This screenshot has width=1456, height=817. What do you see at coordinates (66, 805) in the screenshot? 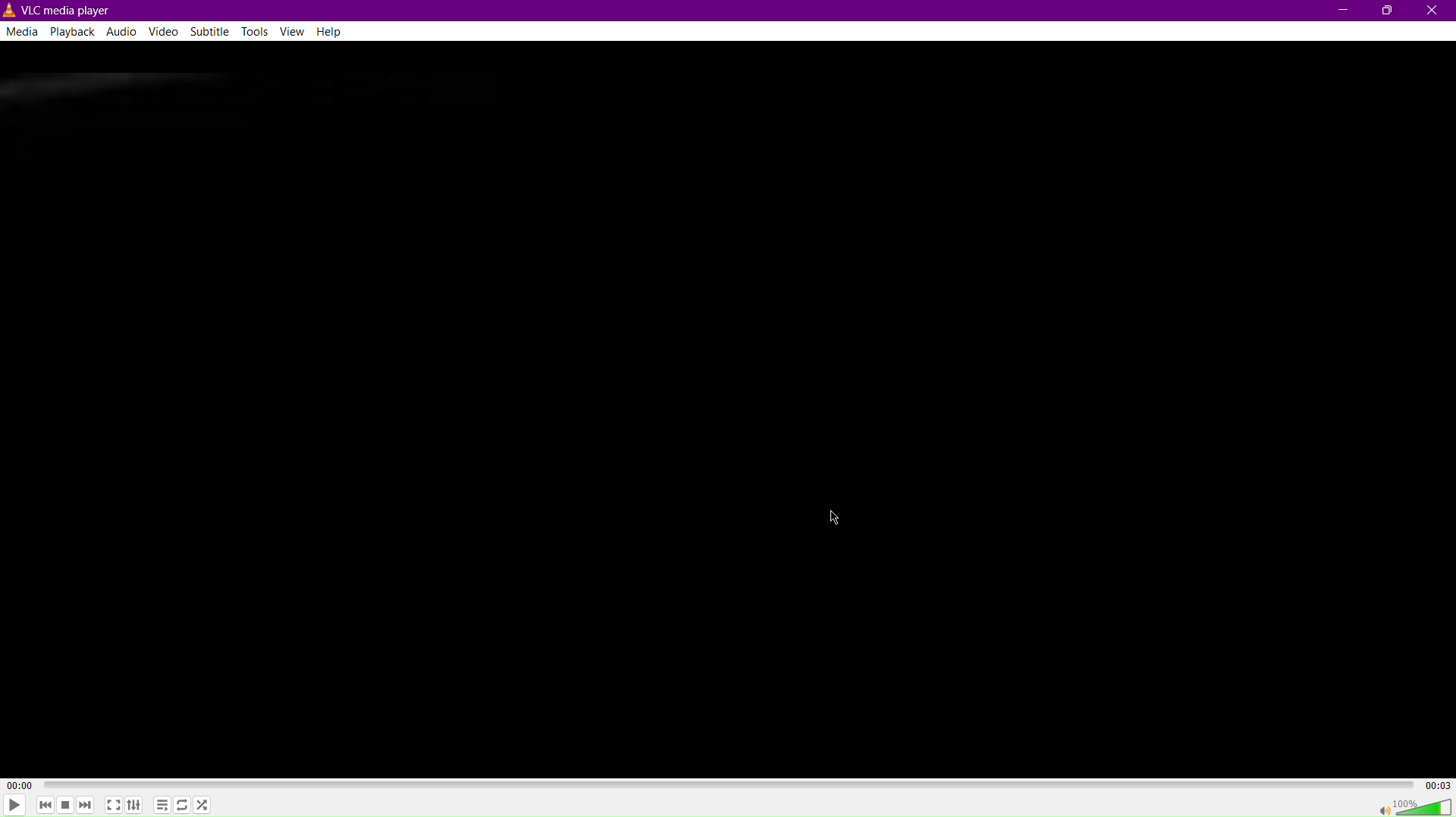
I see `Stop` at bounding box center [66, 805].